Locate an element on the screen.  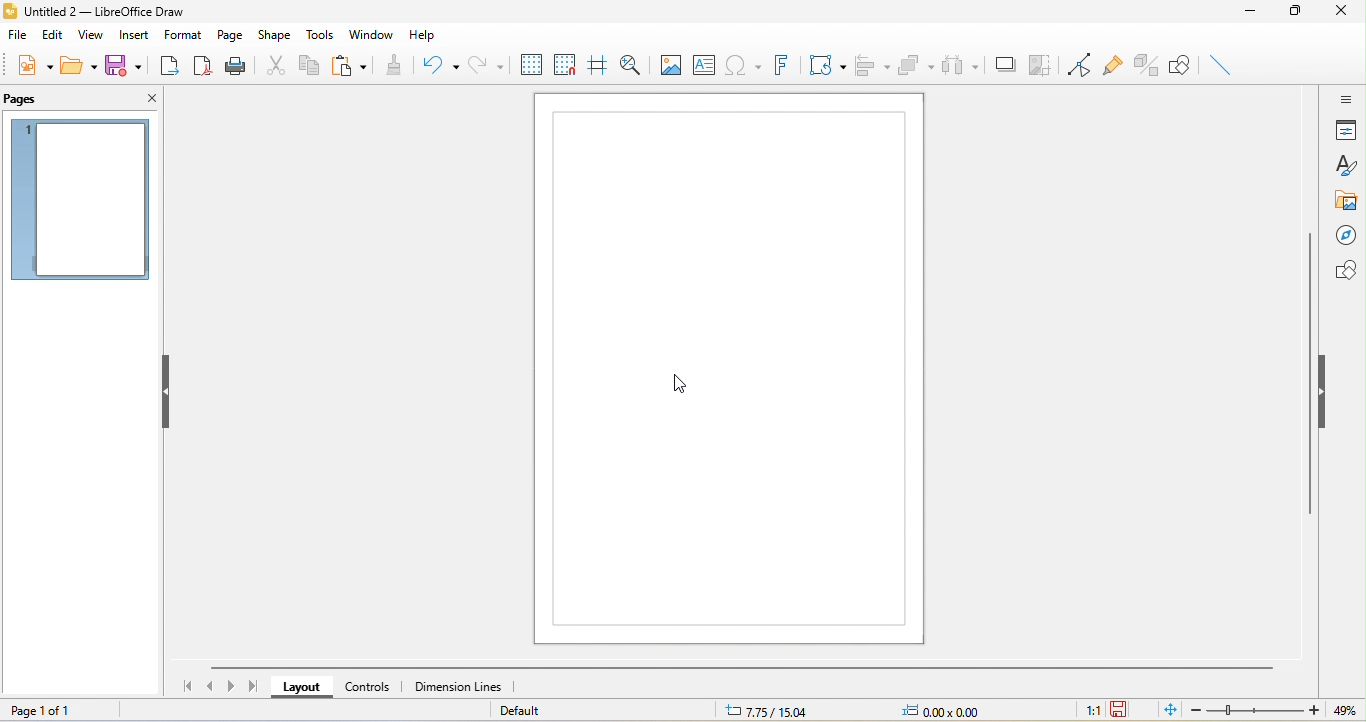
select at least three object to distribute is located at coordinates (960, 62).